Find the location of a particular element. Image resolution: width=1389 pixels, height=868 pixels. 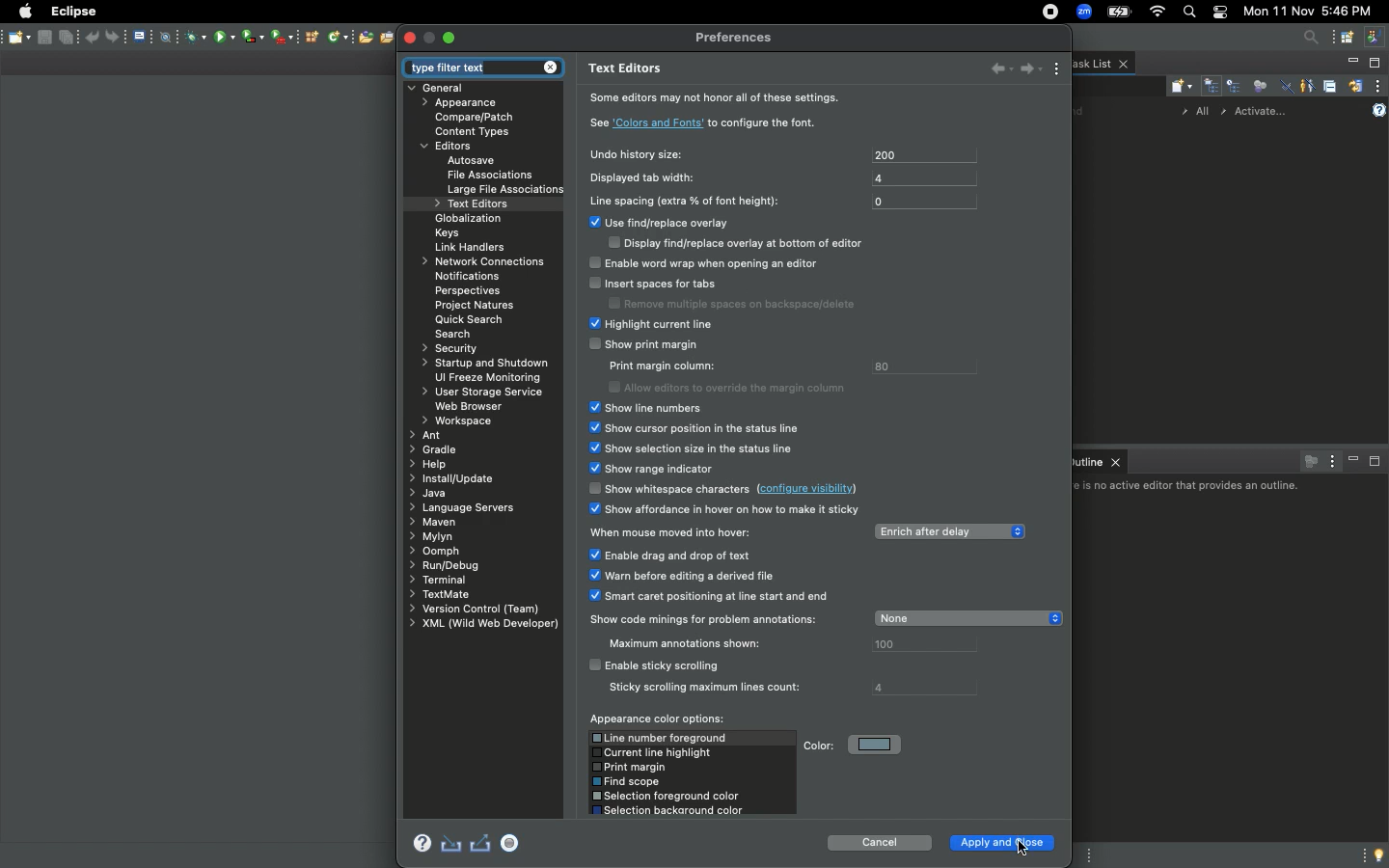

Show withdraw characters is located at coordinates (730, 487).